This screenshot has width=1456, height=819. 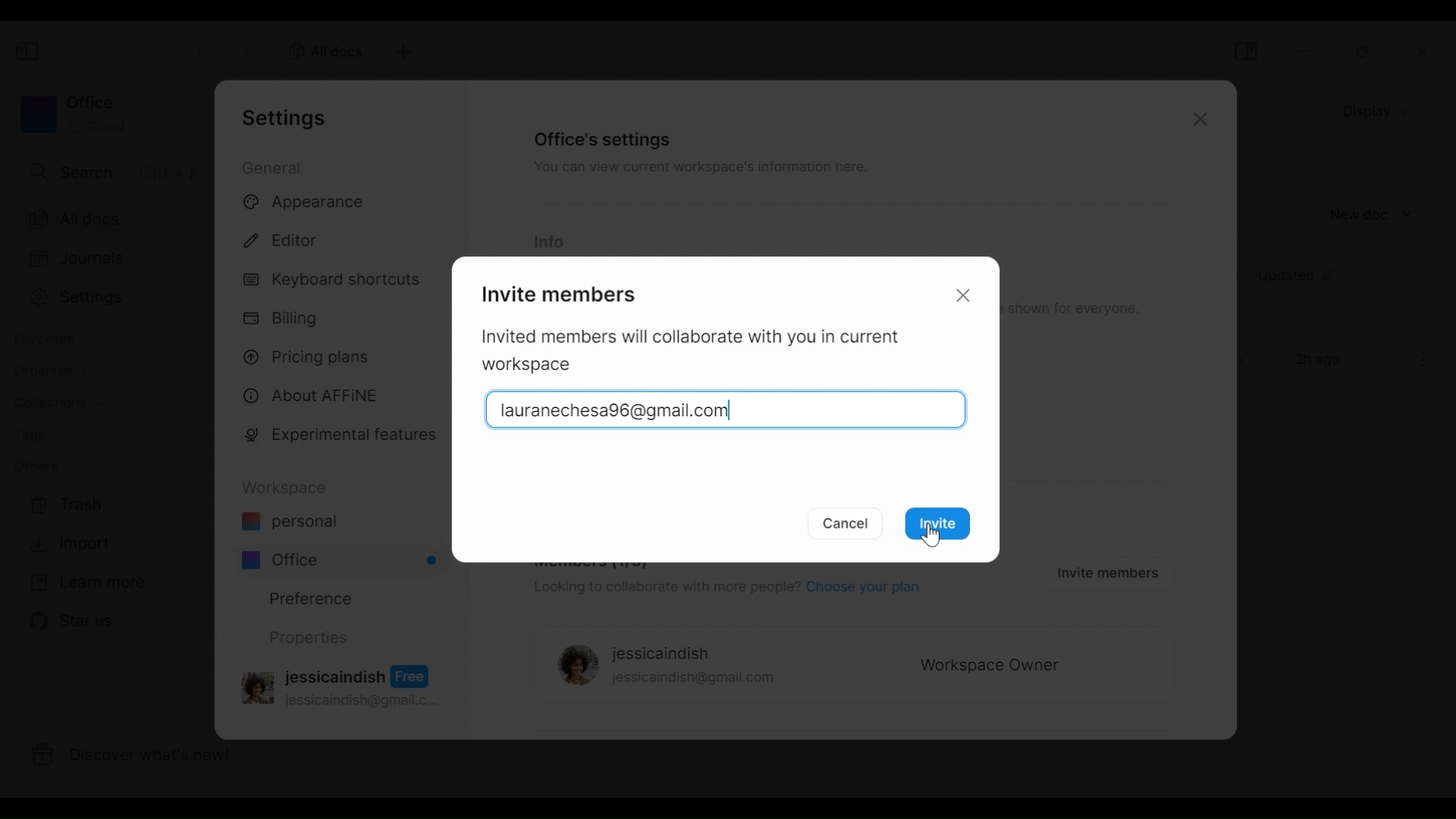 I want to click on Member"S Email address, so click(x=726, y=407).